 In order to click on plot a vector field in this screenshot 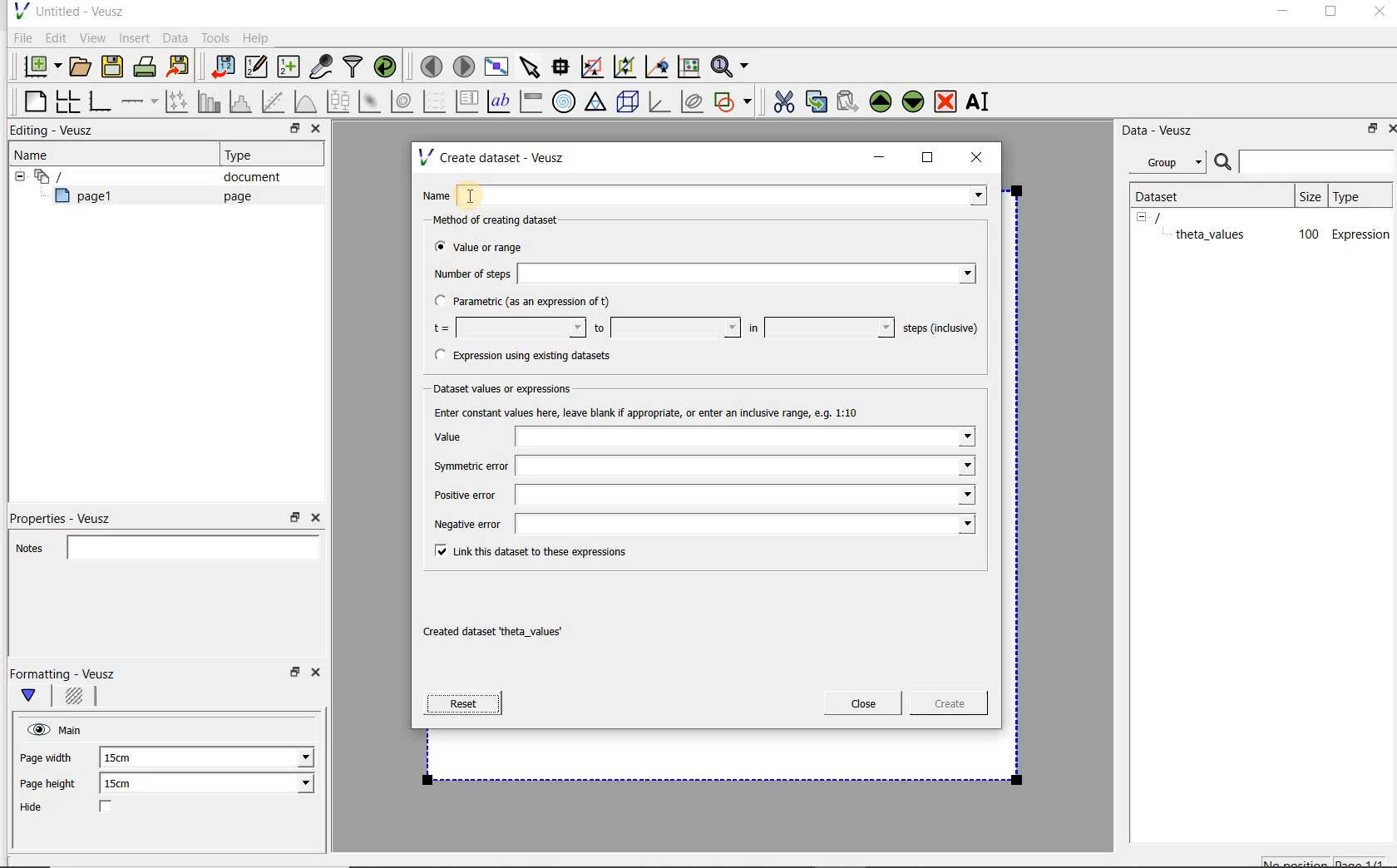, I will do `click(435, 100)`.